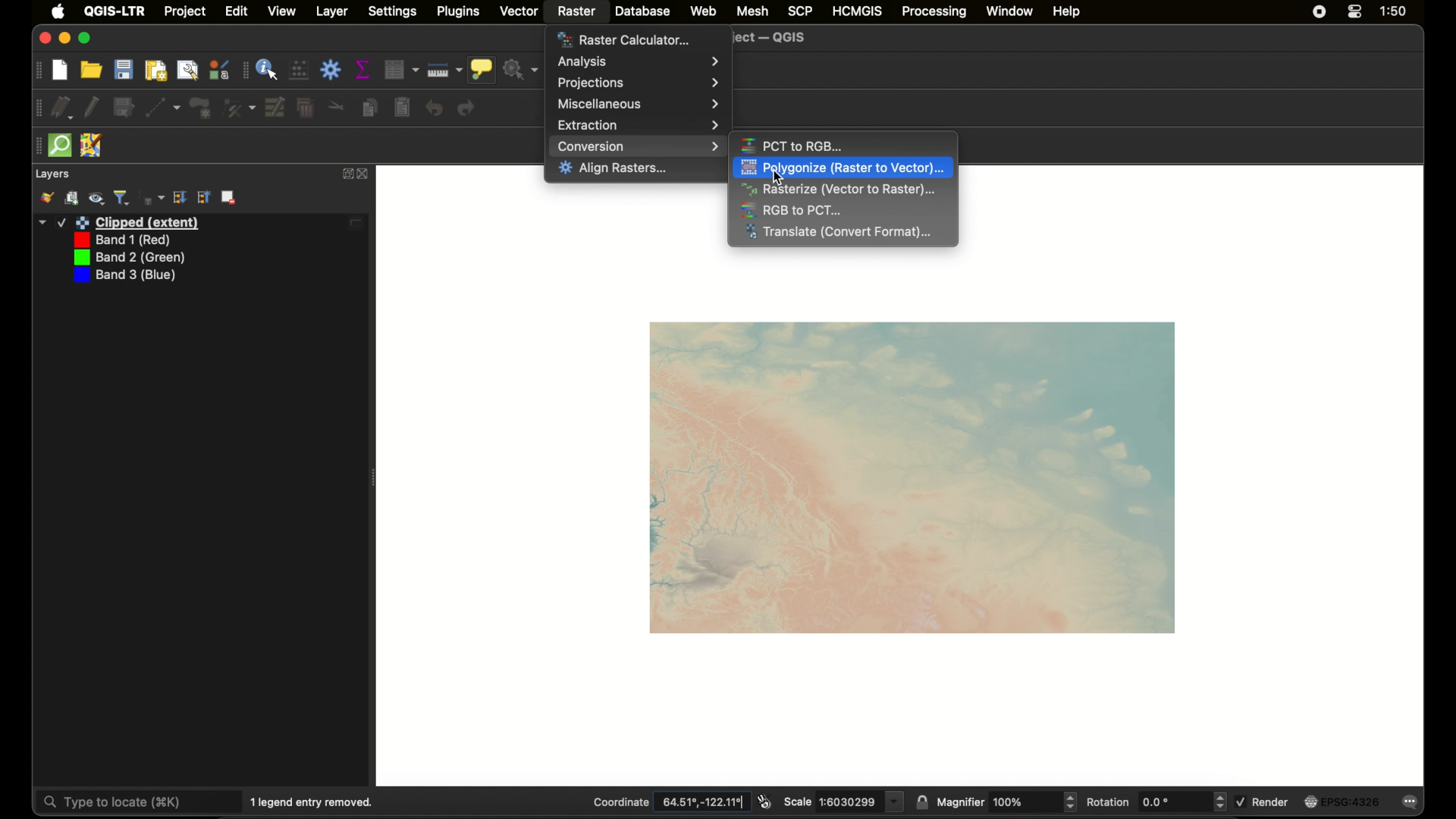  What do you see at coordinates (281, 11) in the screenshot?
I see `view` at bounding box center [281, 11].